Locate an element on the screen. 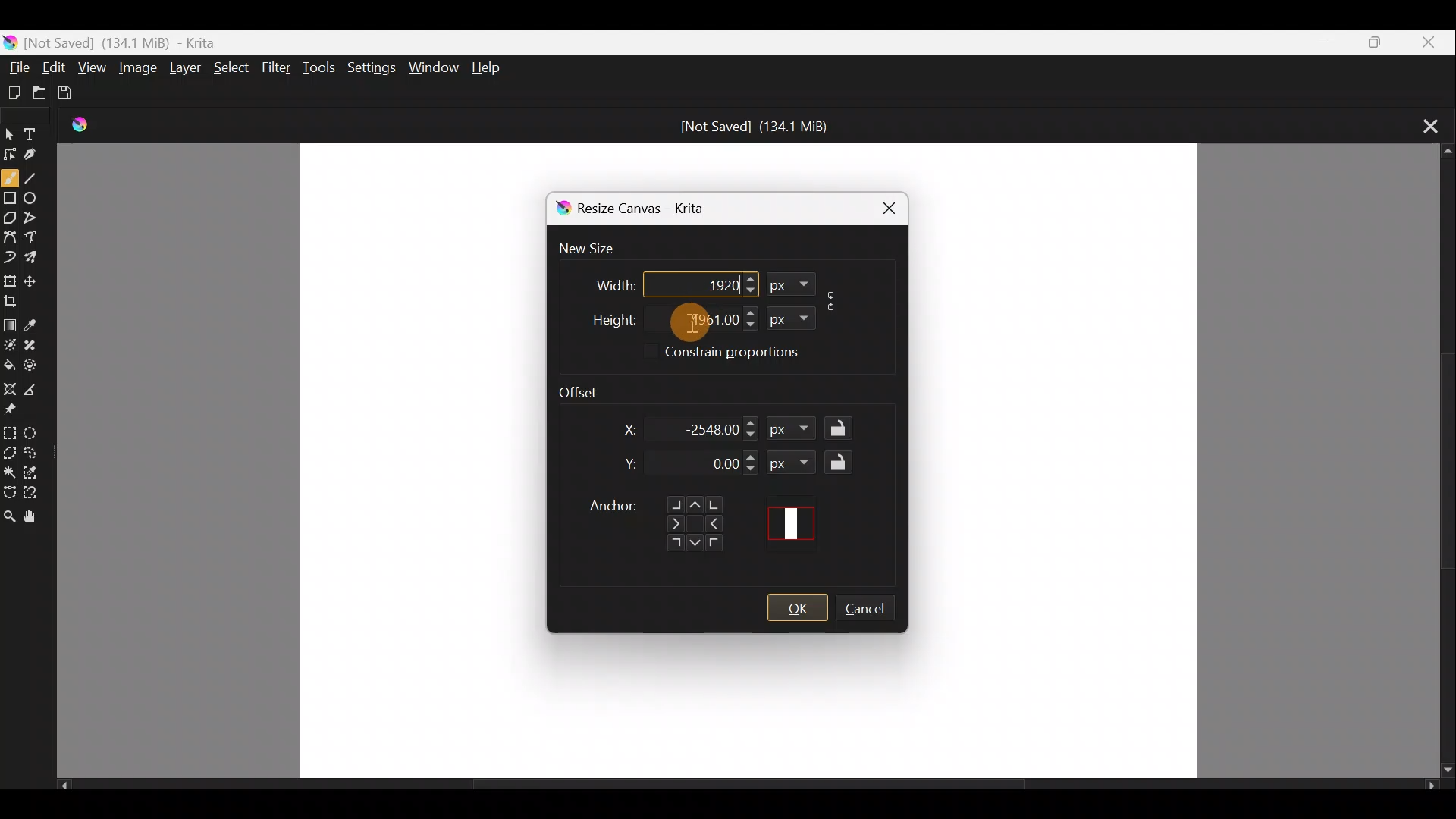  Format is located at coordinates (787, 316).